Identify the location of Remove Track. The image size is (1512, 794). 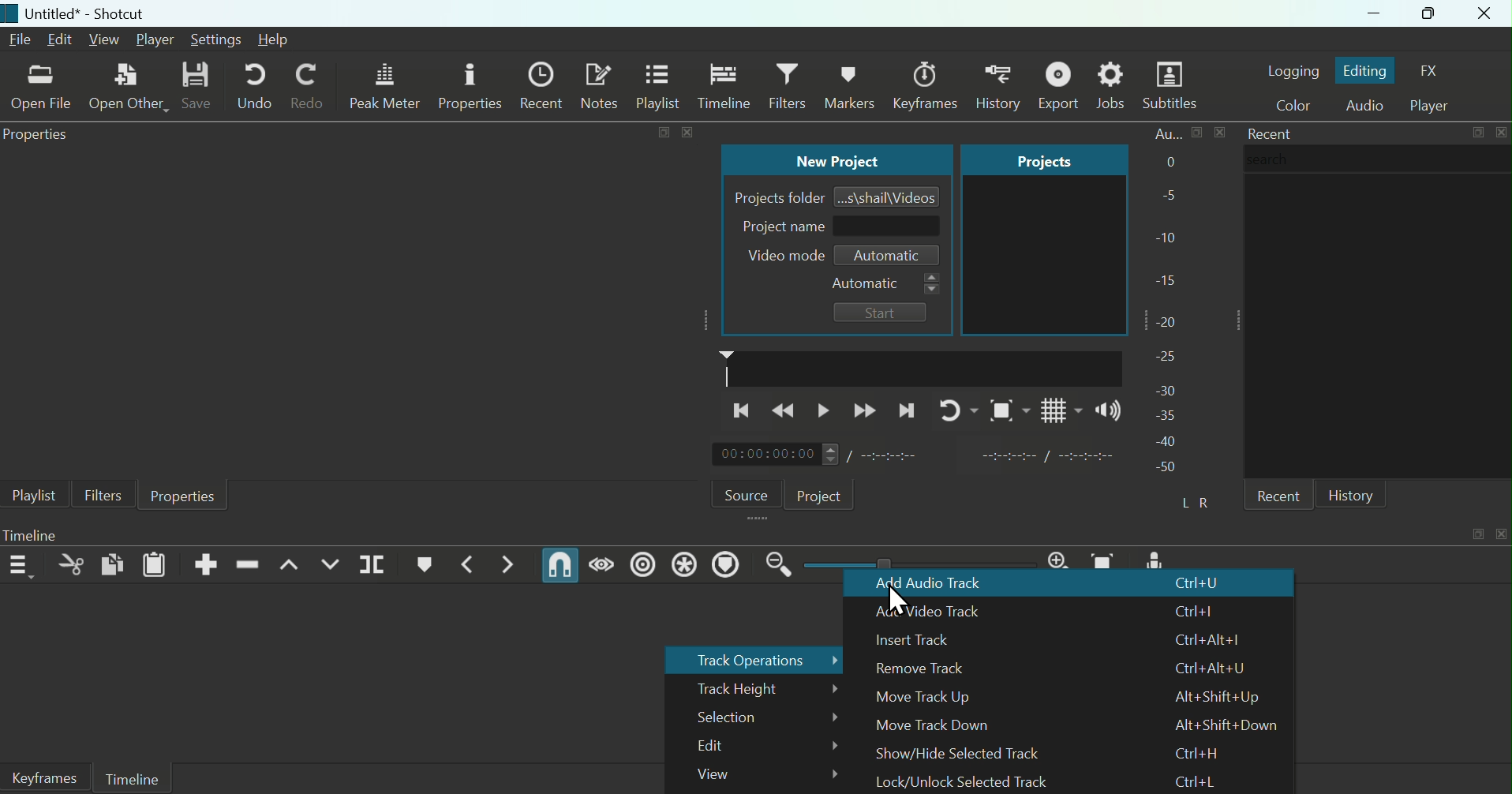
(934, 669).